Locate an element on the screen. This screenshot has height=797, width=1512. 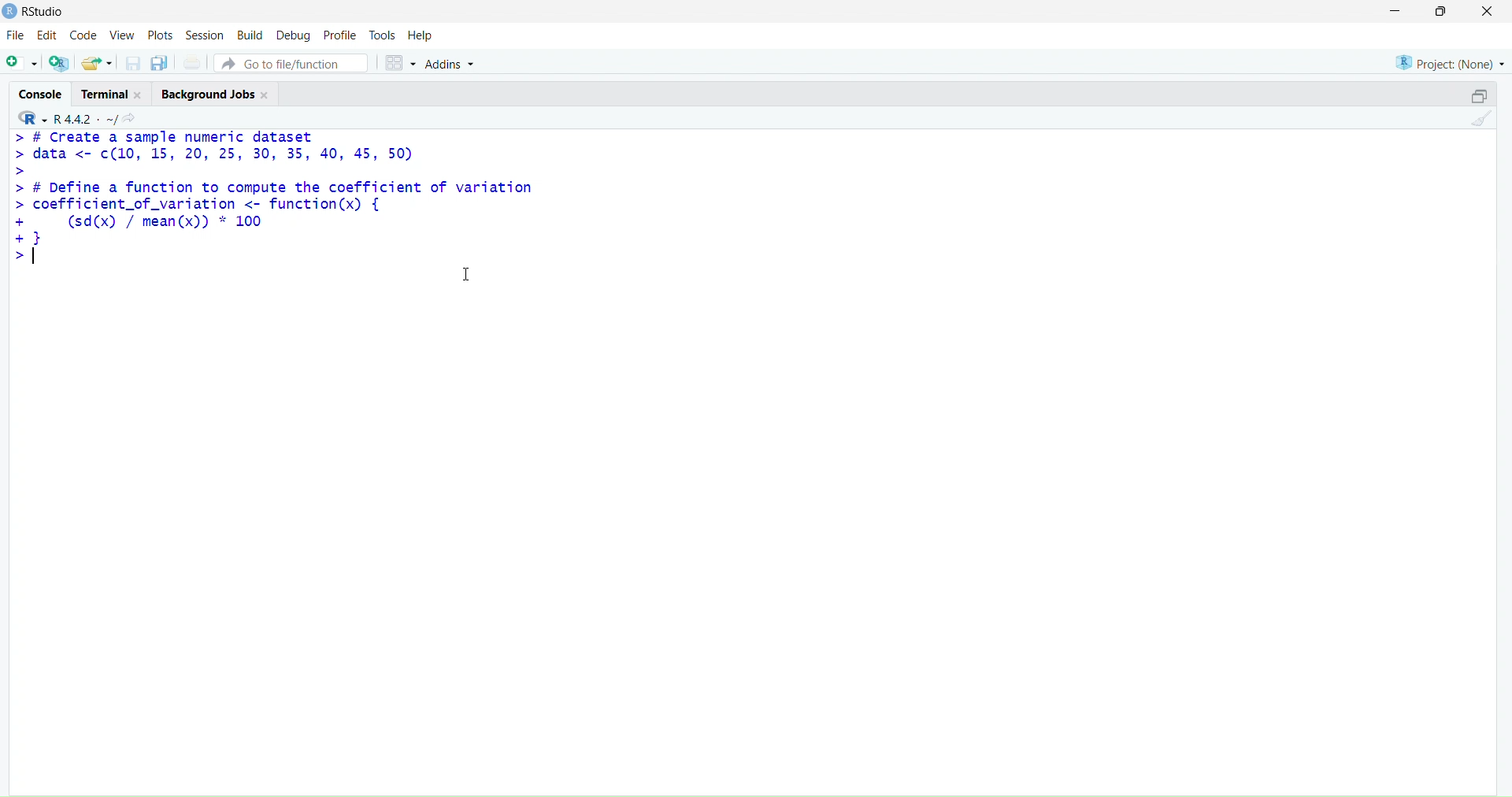
minimise is located at coordinates (1396, 10).